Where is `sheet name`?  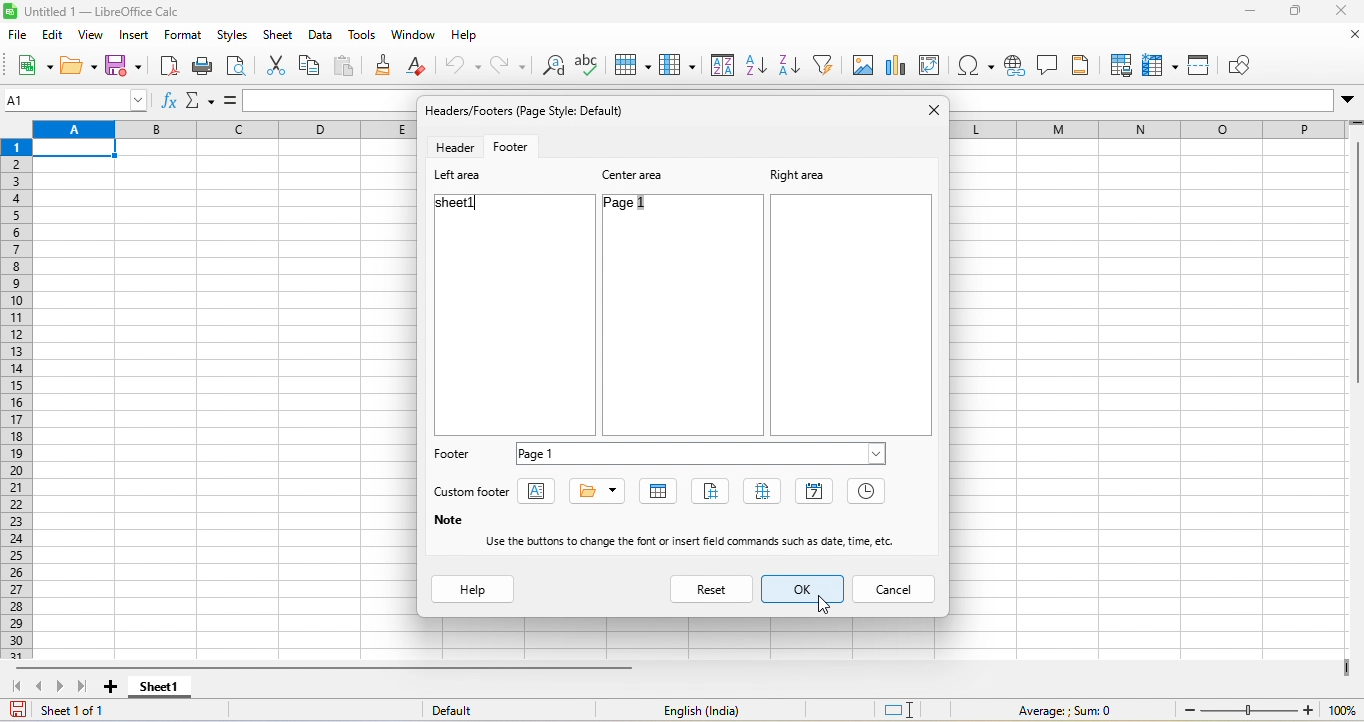 sheet name is located at coordinates (660, 492).